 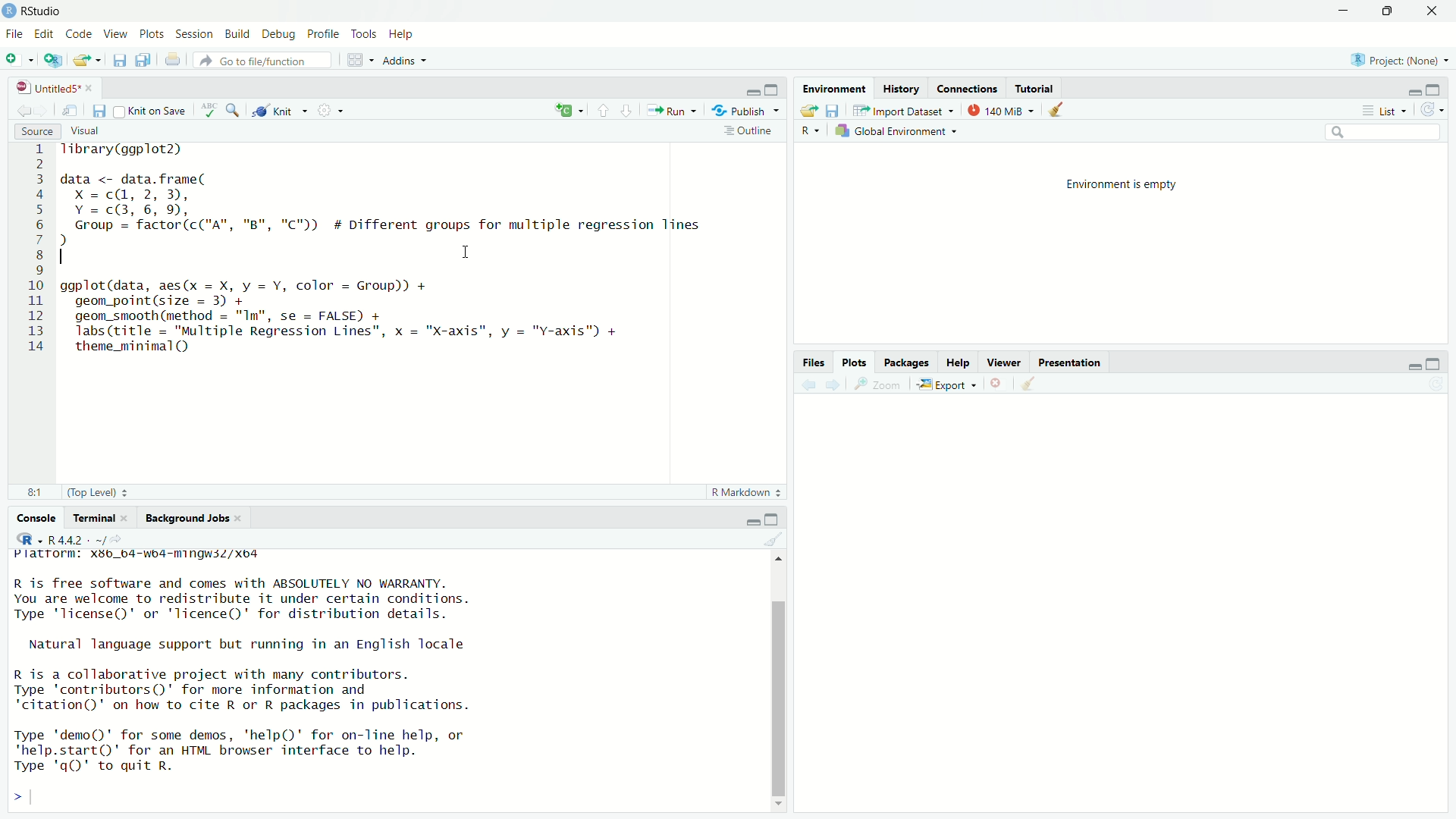 I want to click on History, so click(x=900, y=90).